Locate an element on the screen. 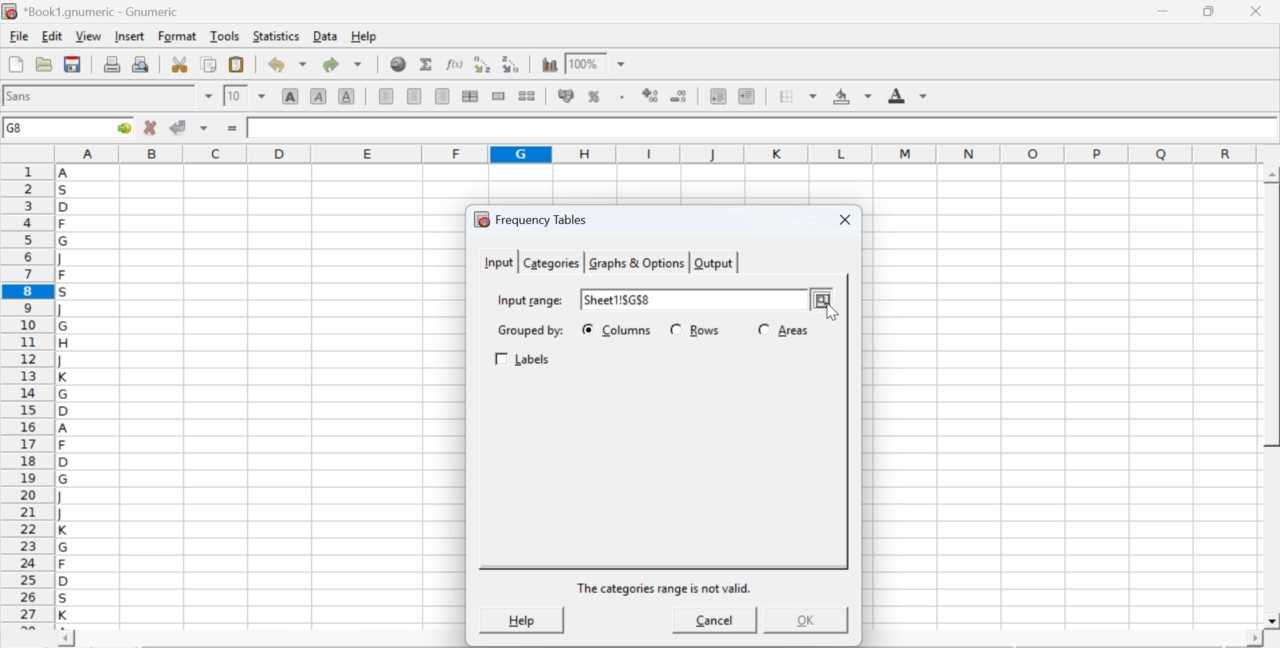 The width and height of the screenshot is (1280, 648). minimize is located at coordinates (1164, 11).